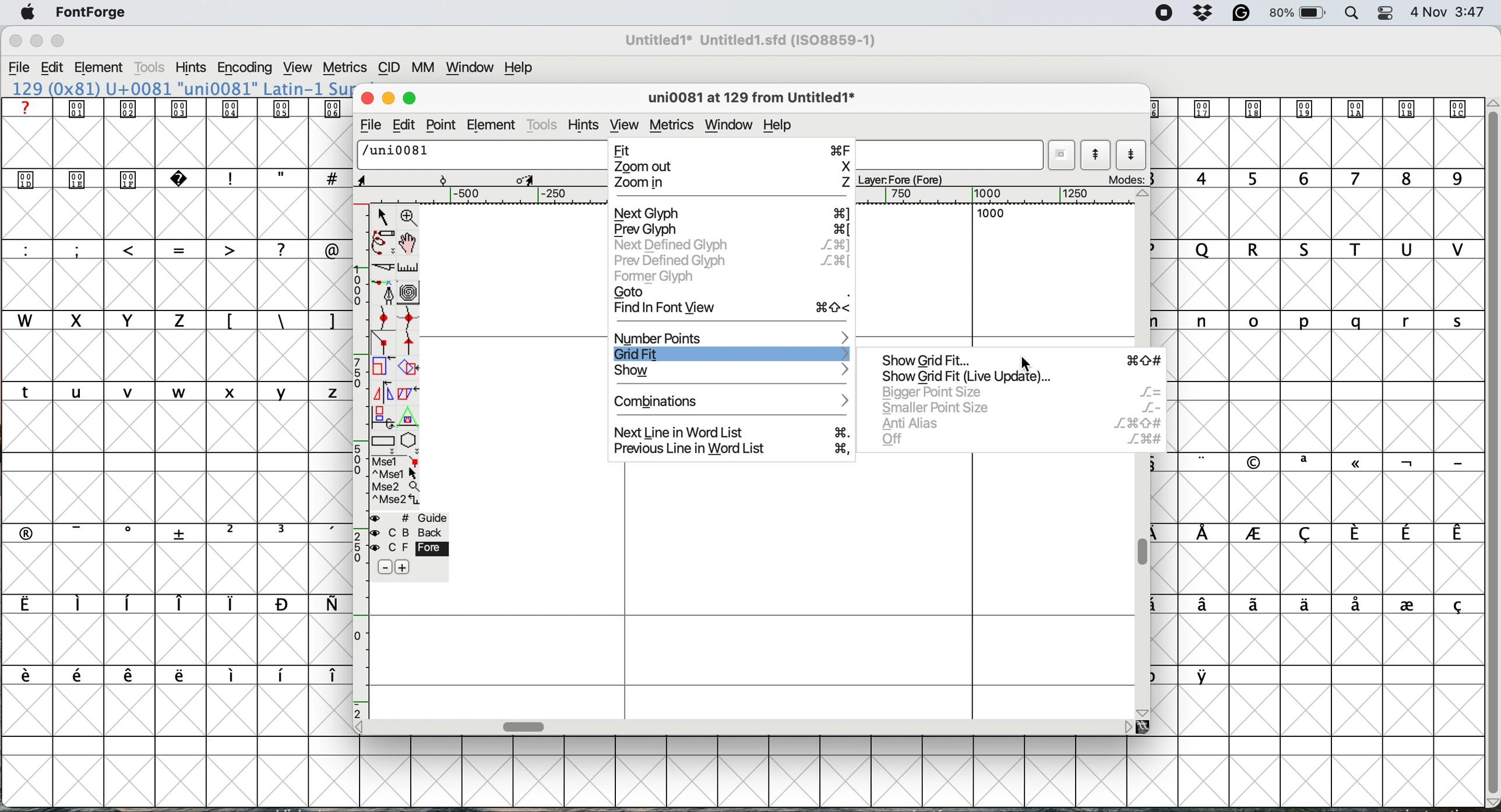  Describe the element at coordinates (519, 68) in the screenshot. I see `Help` at that location.